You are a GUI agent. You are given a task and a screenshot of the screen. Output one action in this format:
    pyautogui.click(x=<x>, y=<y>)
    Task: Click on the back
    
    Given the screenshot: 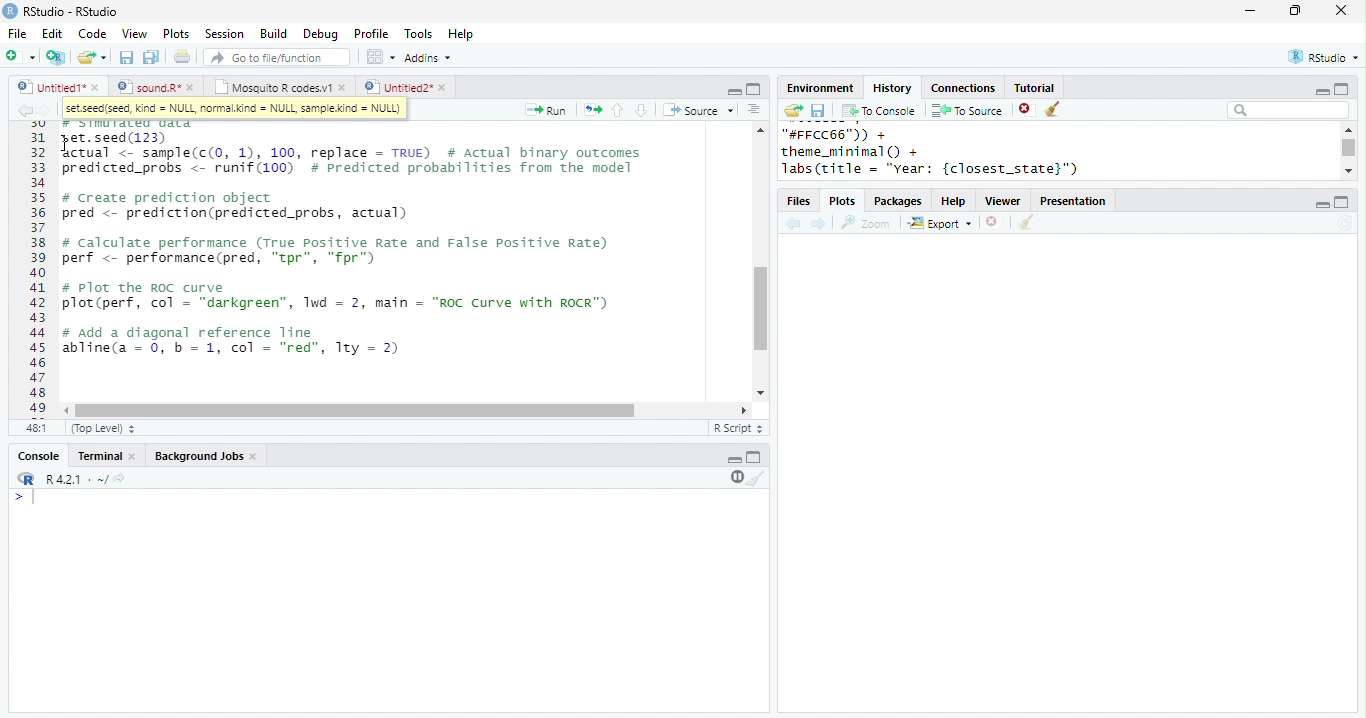 What is the action you would take?
    pyautogui.click(x=793, y=225)
    